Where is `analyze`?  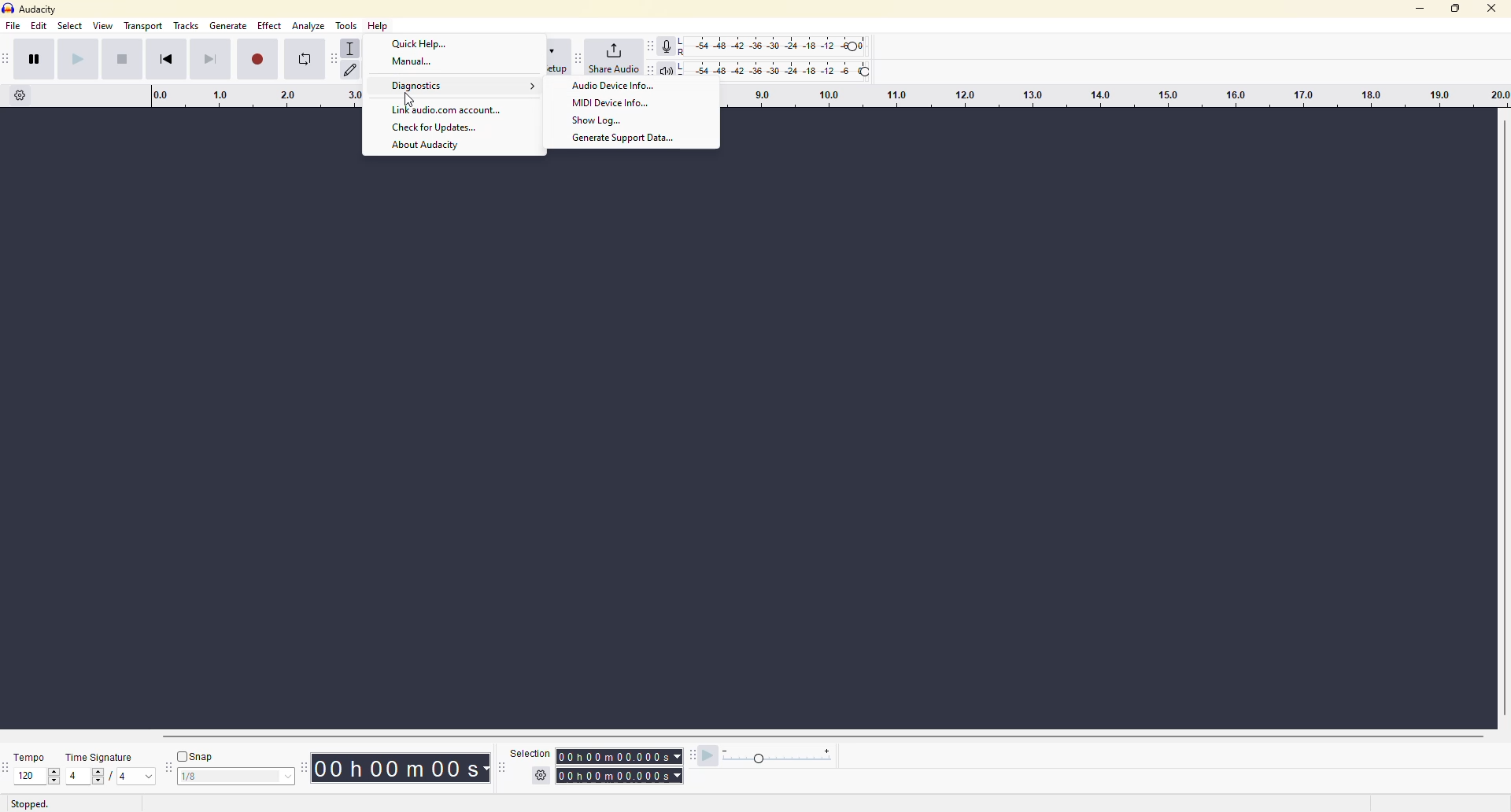 analyze is located at coordinates (308, 26).